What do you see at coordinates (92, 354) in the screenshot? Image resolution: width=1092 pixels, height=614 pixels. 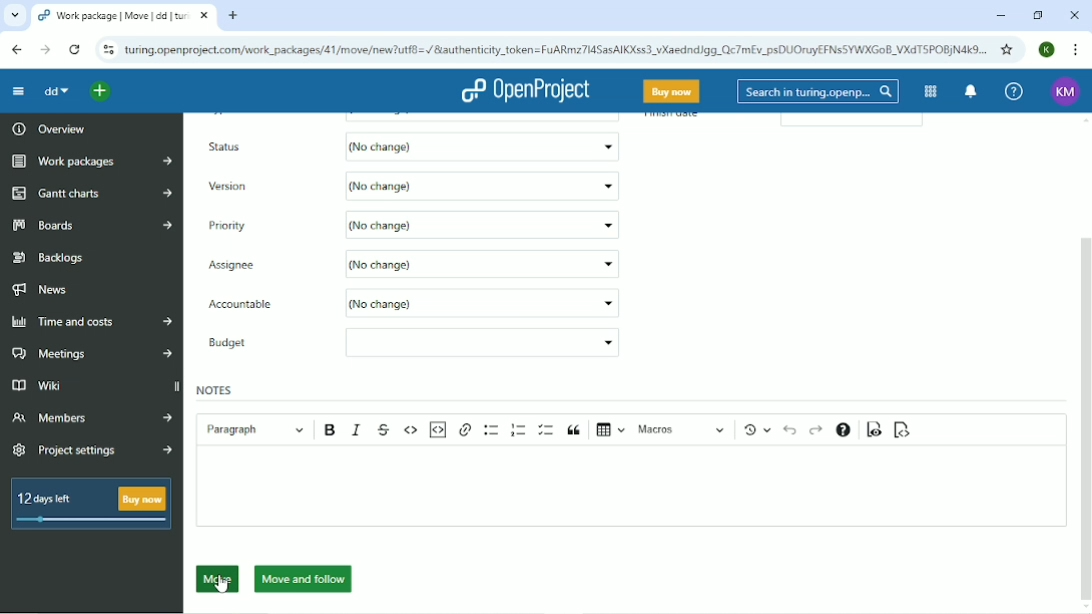 I see `Meetings` at bounding box center [92, 354].